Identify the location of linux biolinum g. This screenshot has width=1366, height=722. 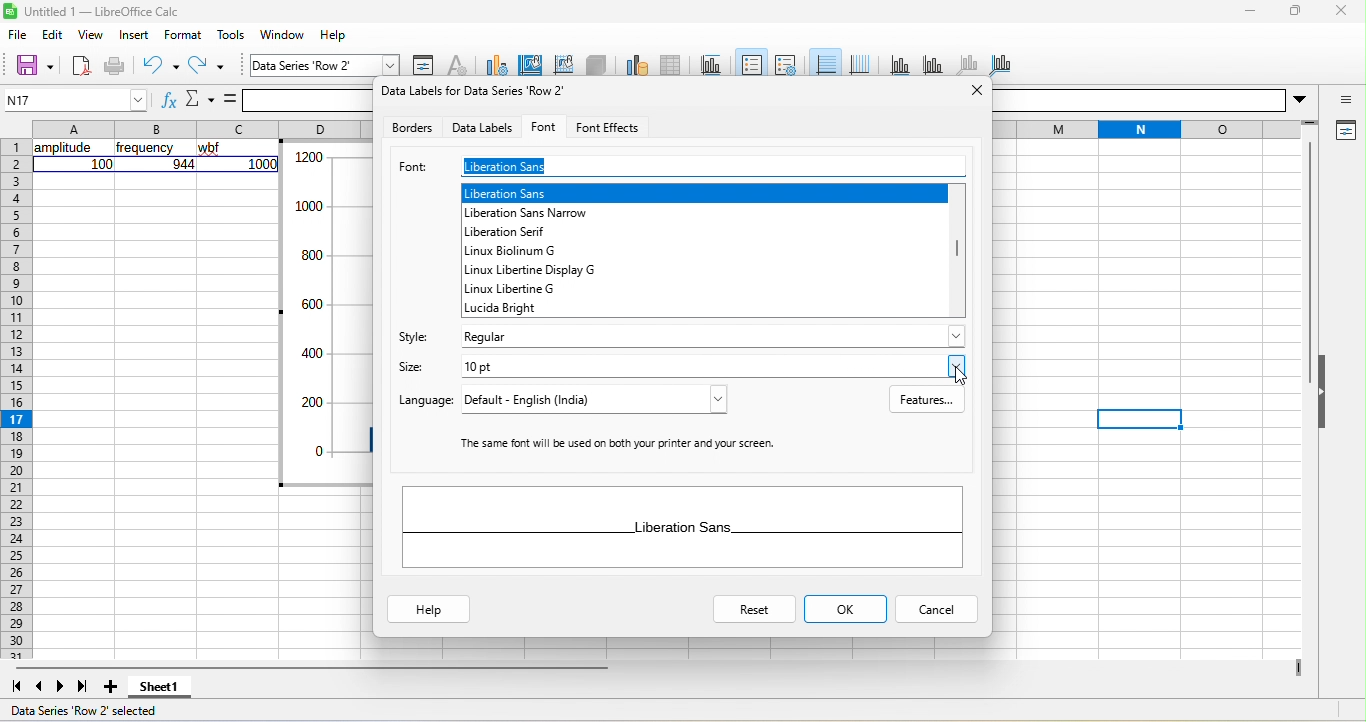
(527, 252).